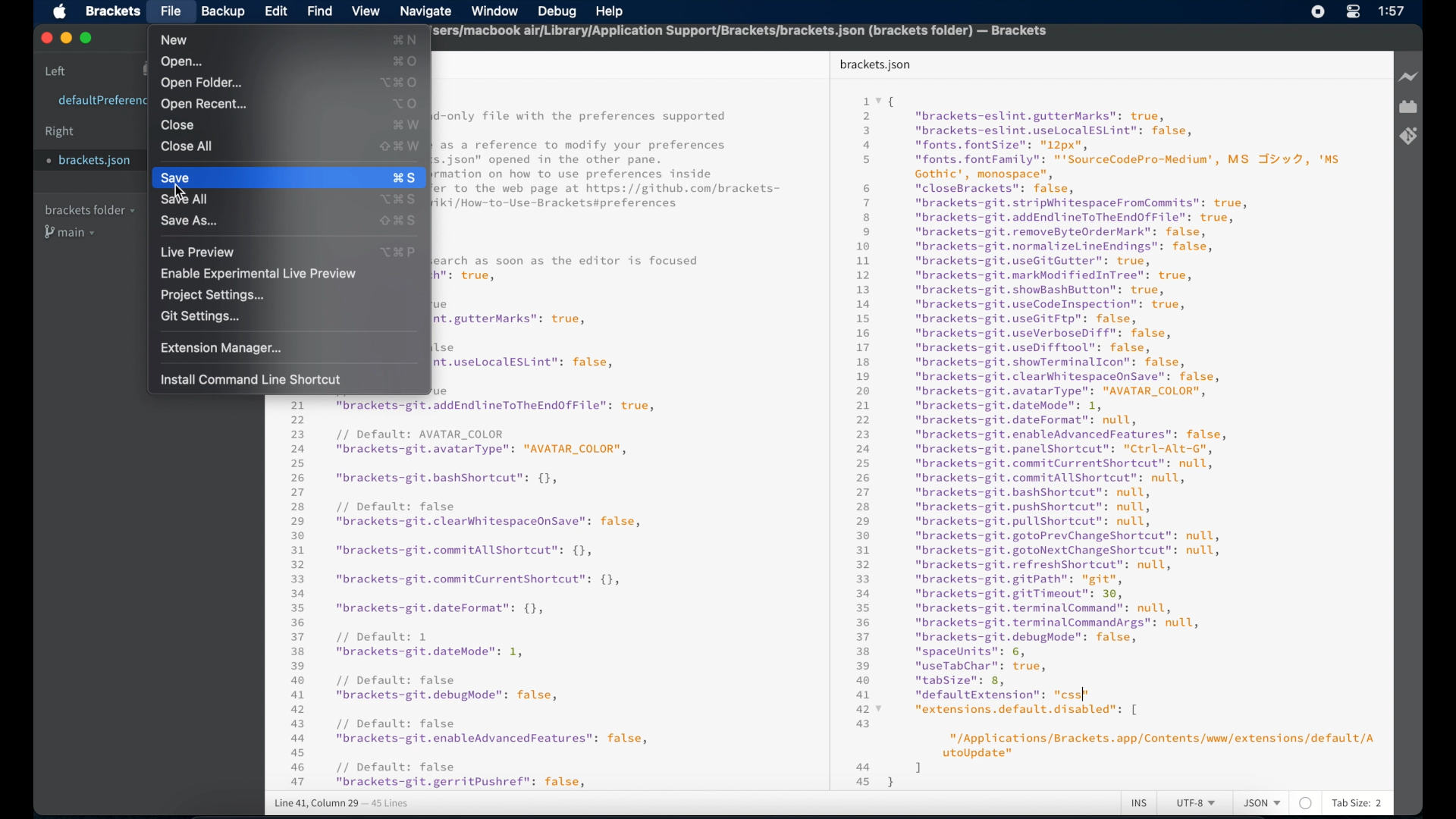  Describe the element at coordinates (174, 40) in the screenshot. I see `new` at that location.